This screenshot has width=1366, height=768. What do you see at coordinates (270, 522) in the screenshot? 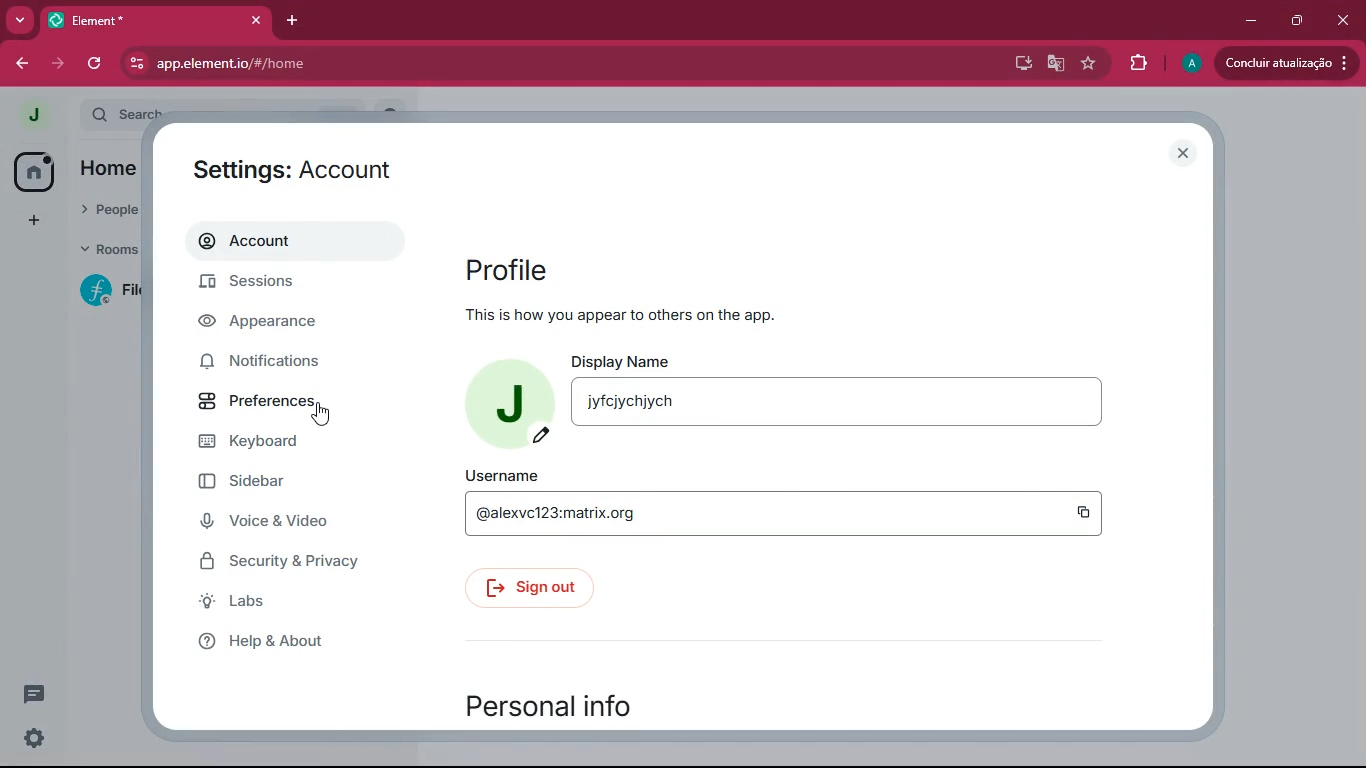
I see `voice & video` at bounding box center [270, 522].